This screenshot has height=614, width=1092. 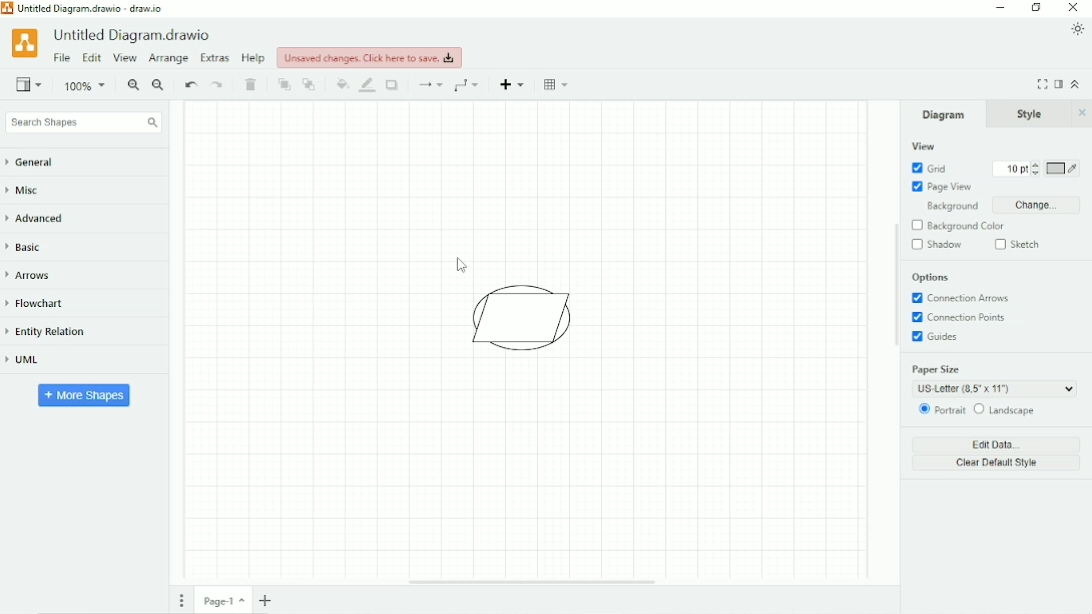 What do you see at coordinates (86, 86) in the screenshot?
I see `Zoom factor` at bounding box center [86, 86].